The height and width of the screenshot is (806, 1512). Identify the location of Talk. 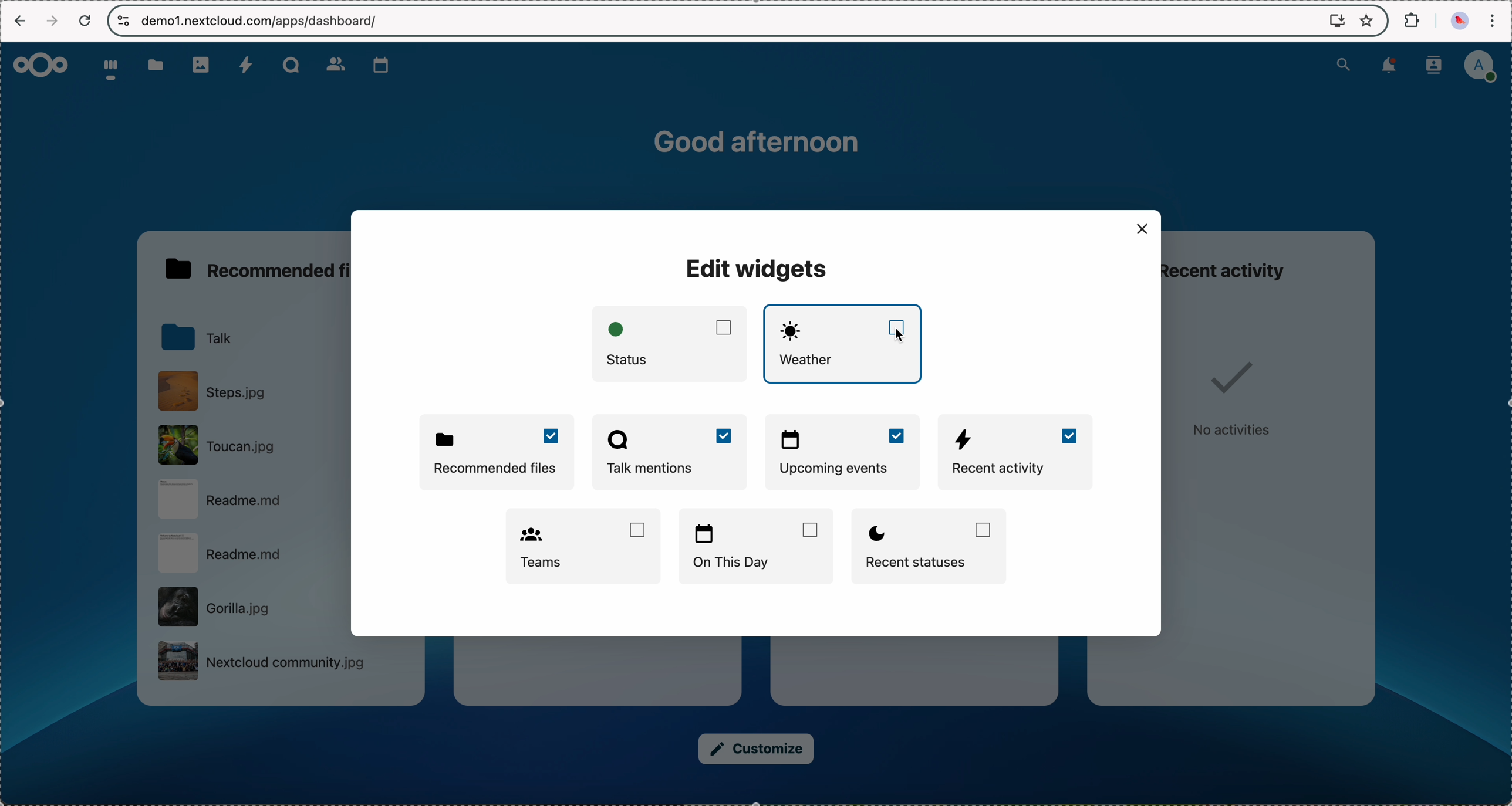
(289, 64).